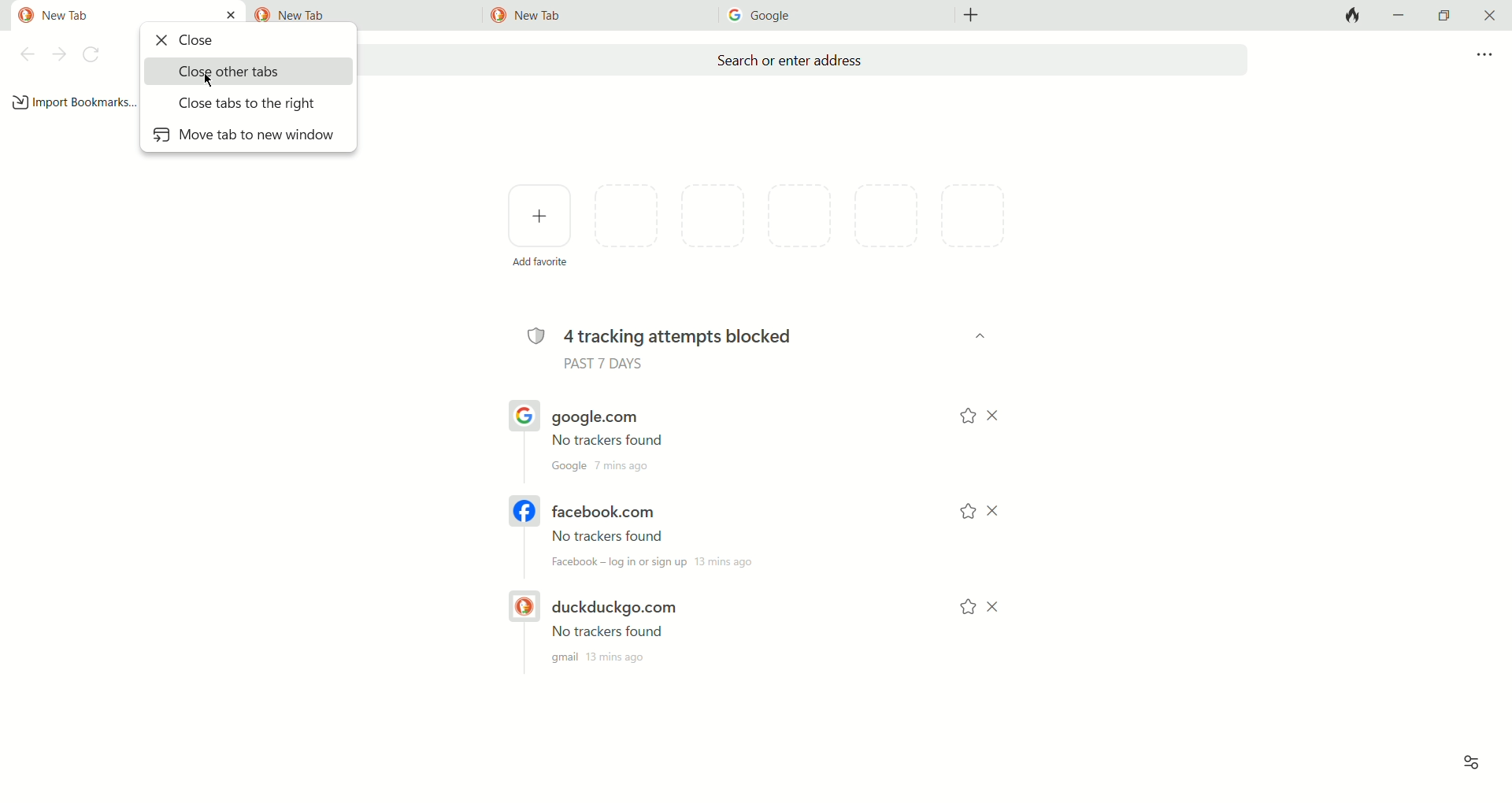 The height and width of the screenshot is (803, 1512). What do you see at coordinates (535, 227) in the screenshot?
I see `add favorites` at bounding box center [535, 227].